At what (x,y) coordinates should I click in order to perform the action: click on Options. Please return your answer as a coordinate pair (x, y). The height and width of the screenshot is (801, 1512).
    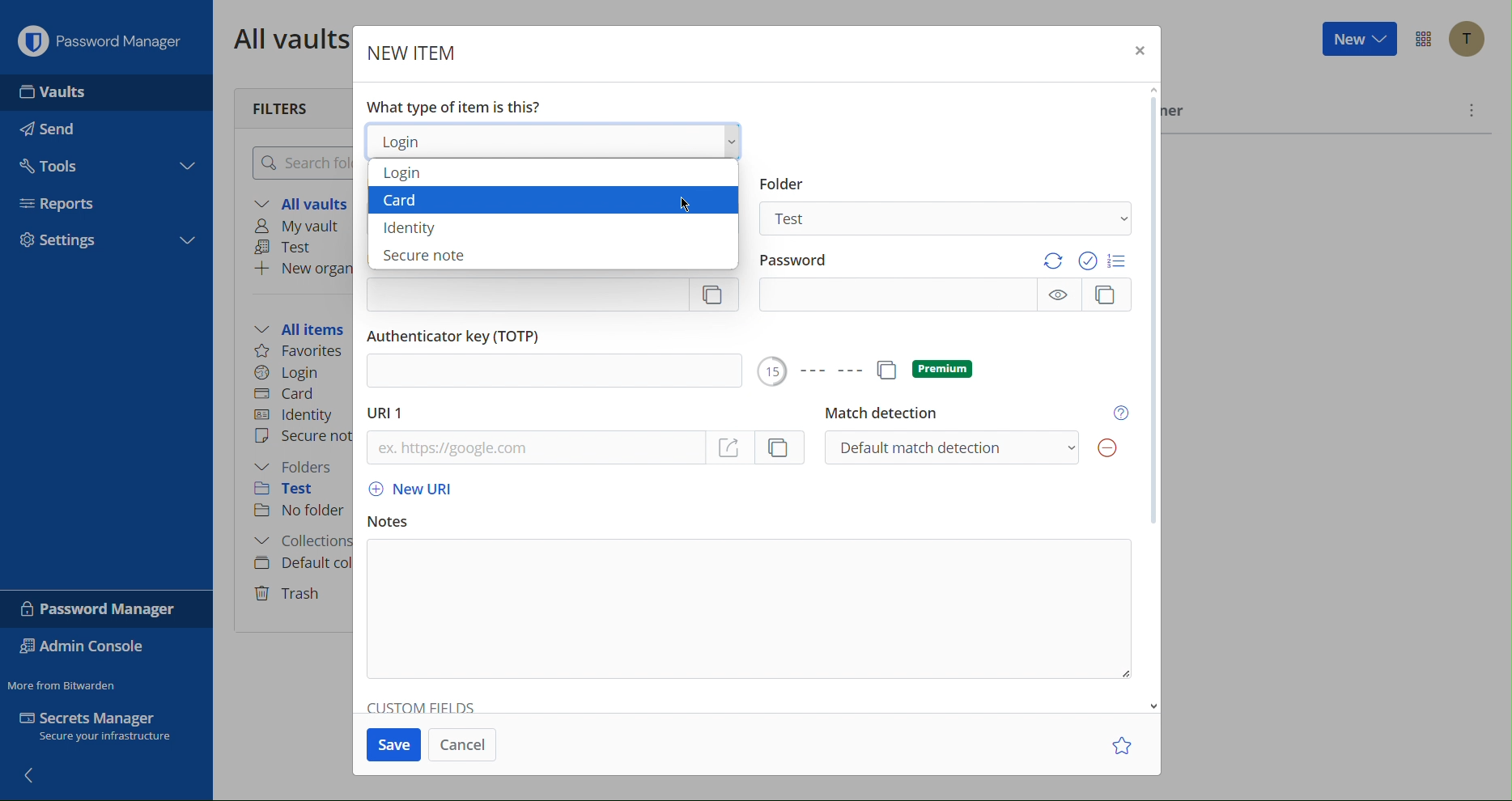
    Looking at the image, I should click on (1421, 37).